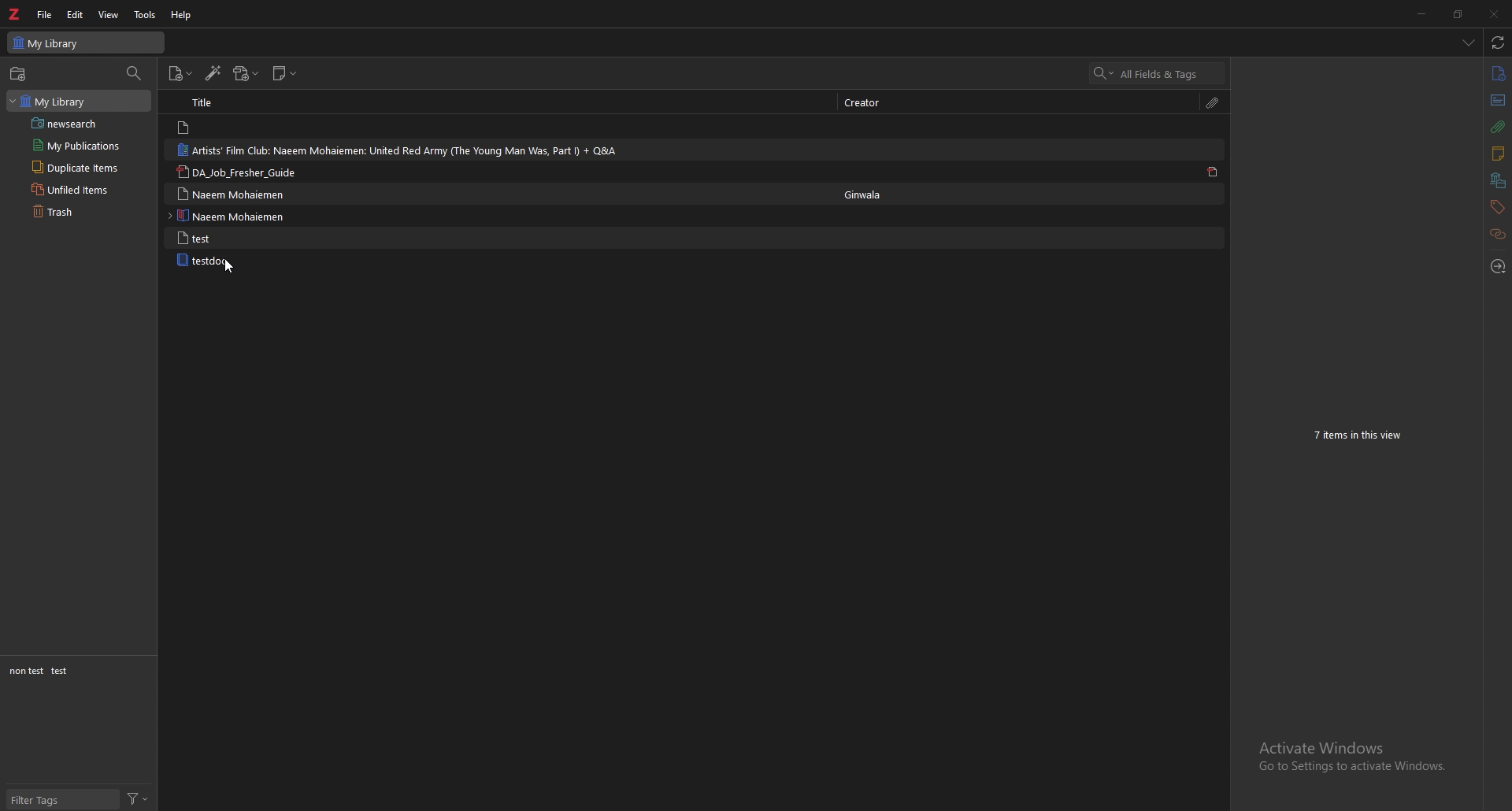  Describe the element at coordinates (1499, 72) in the screenshot. I see `info` at that location.